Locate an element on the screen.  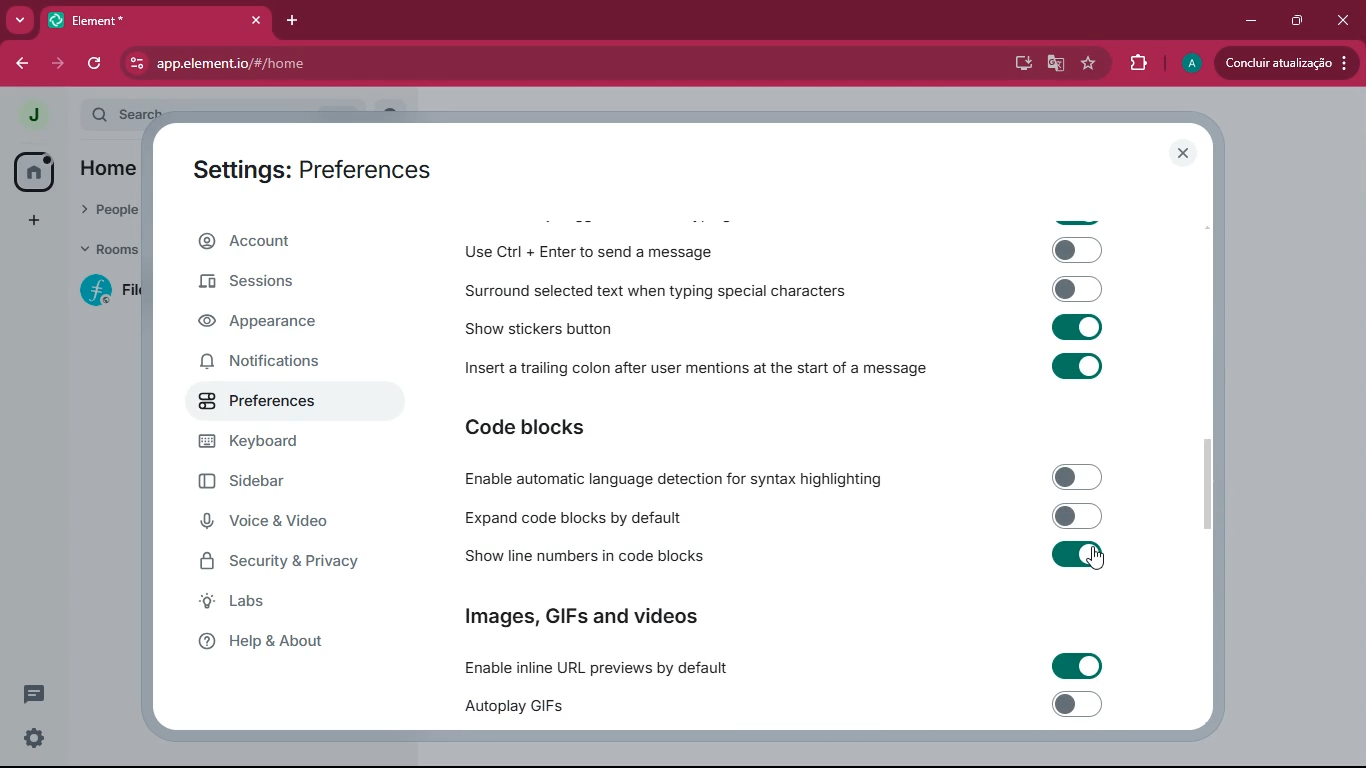
Images, GIFs and videos is located at coordinates (585, 614).